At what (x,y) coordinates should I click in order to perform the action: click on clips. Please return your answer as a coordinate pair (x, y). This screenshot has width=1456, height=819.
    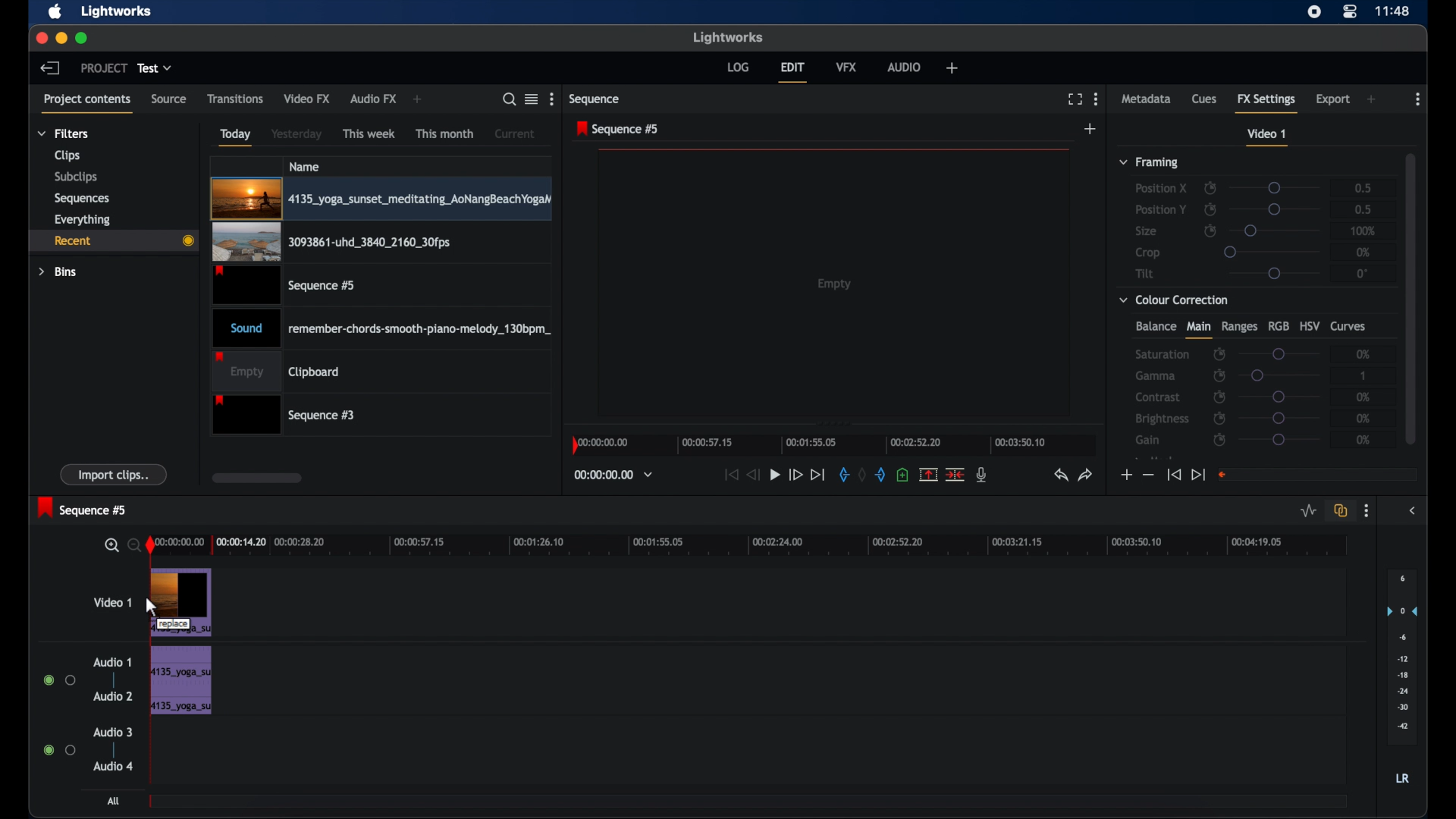
    Looking at the image, I should click on (65, 155).